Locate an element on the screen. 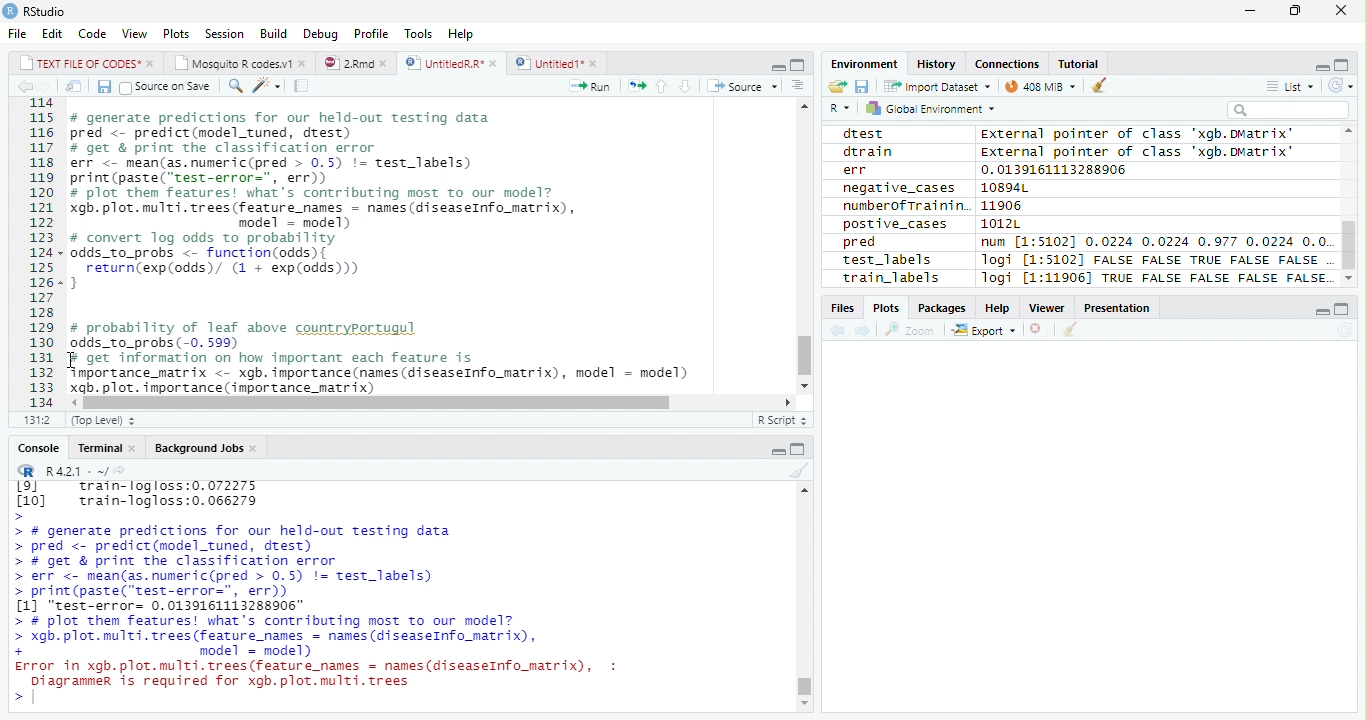 This screenshot has width=1366, height=720. Scroll is located at coordinates (431, 404).